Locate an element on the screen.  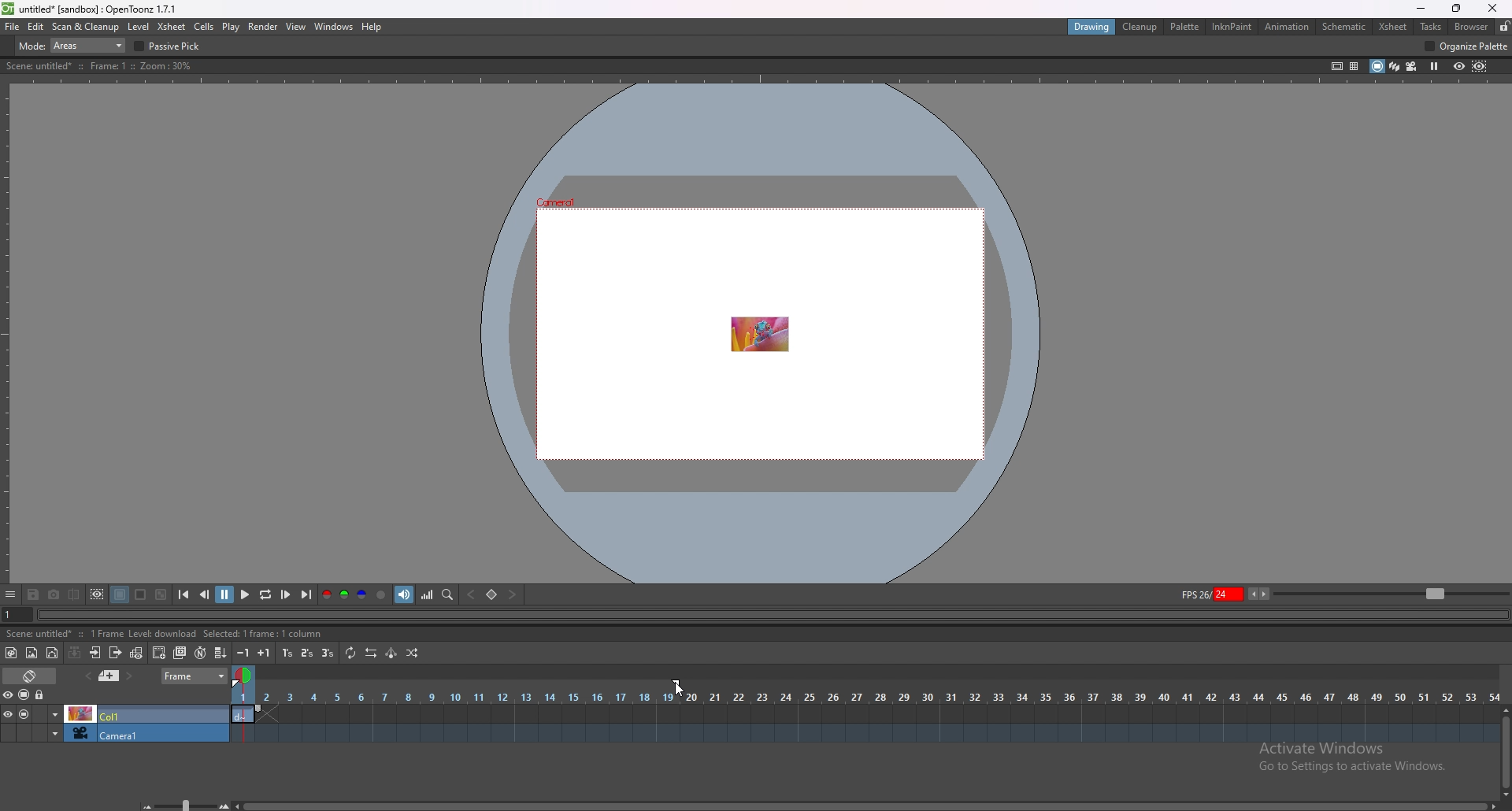
tasks is located at coordinates (1430, 26).